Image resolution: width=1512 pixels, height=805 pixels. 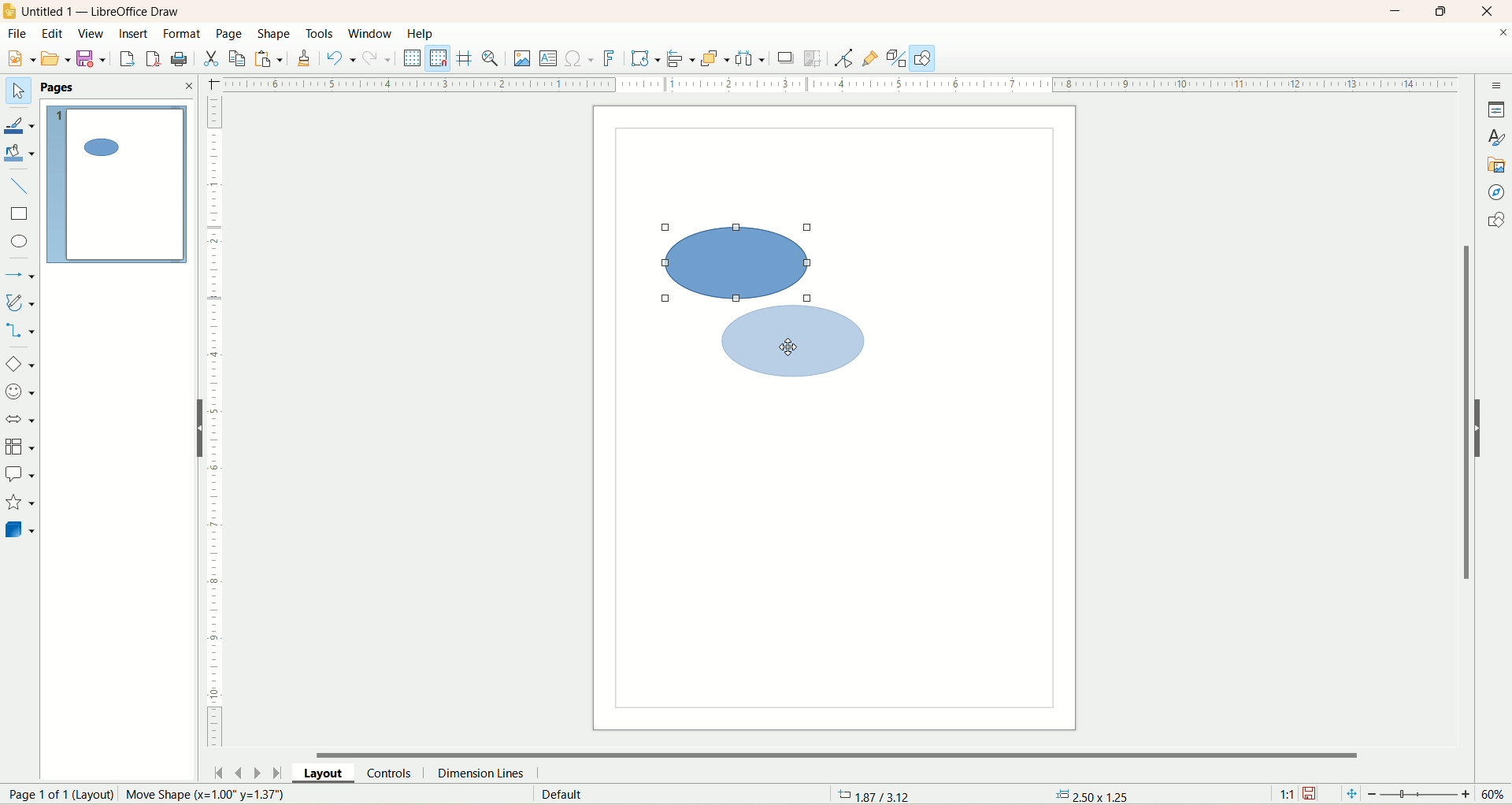 I want to click on arrange, so click(x=715, y=60).